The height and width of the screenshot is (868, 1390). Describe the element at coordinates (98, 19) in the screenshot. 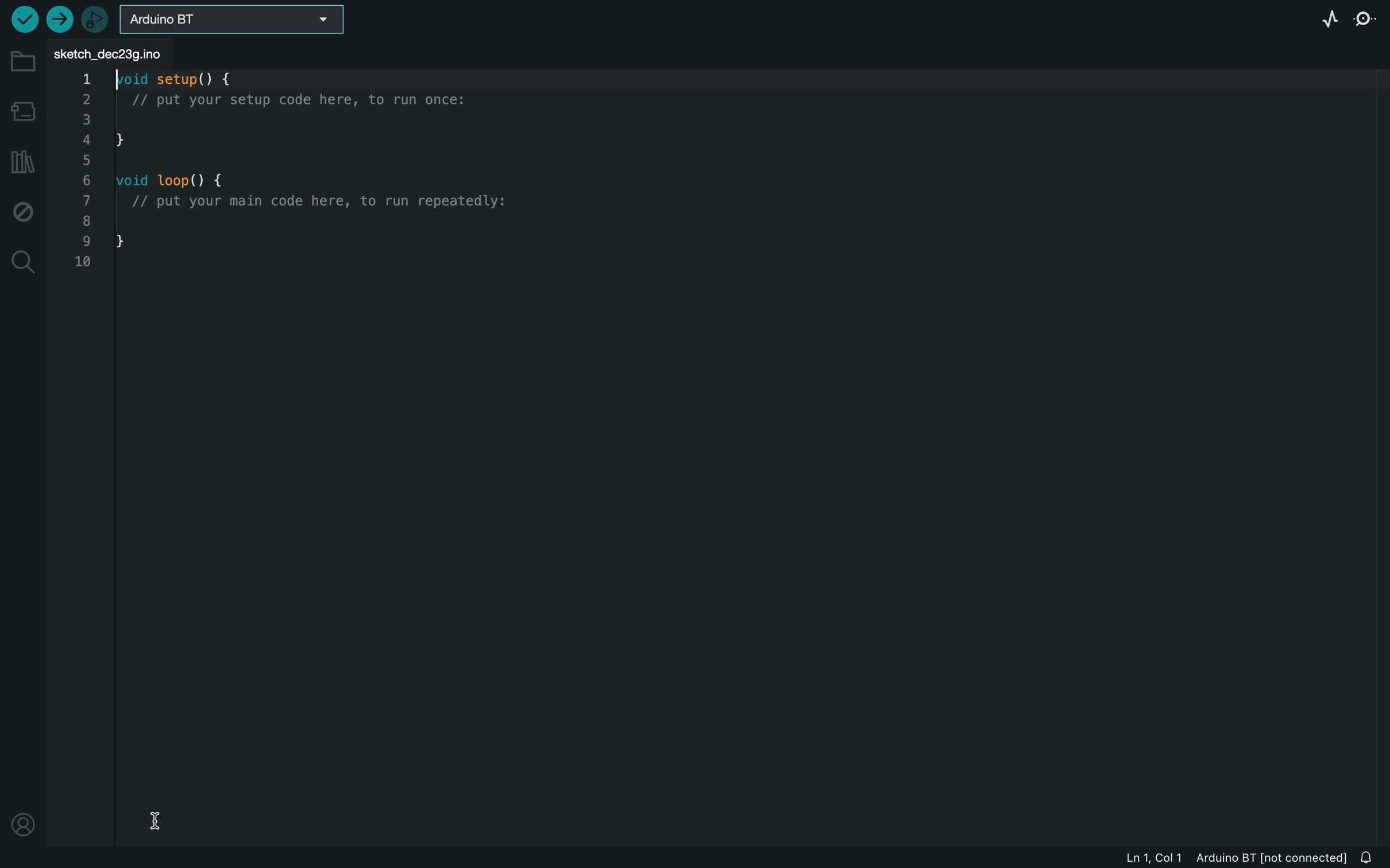

I see `debugger` at that location.